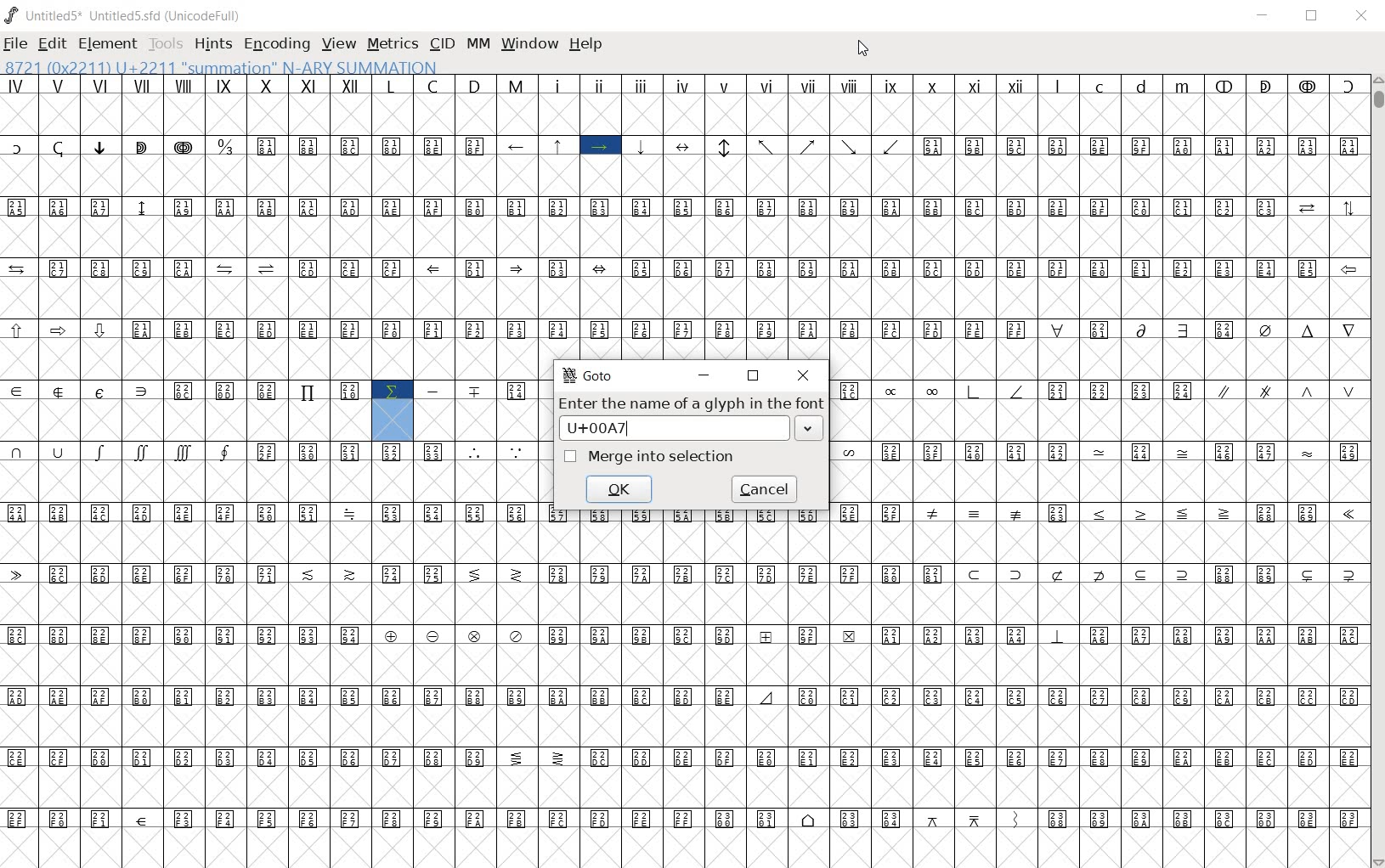  I want to click on special symbols, so click(687, 757).